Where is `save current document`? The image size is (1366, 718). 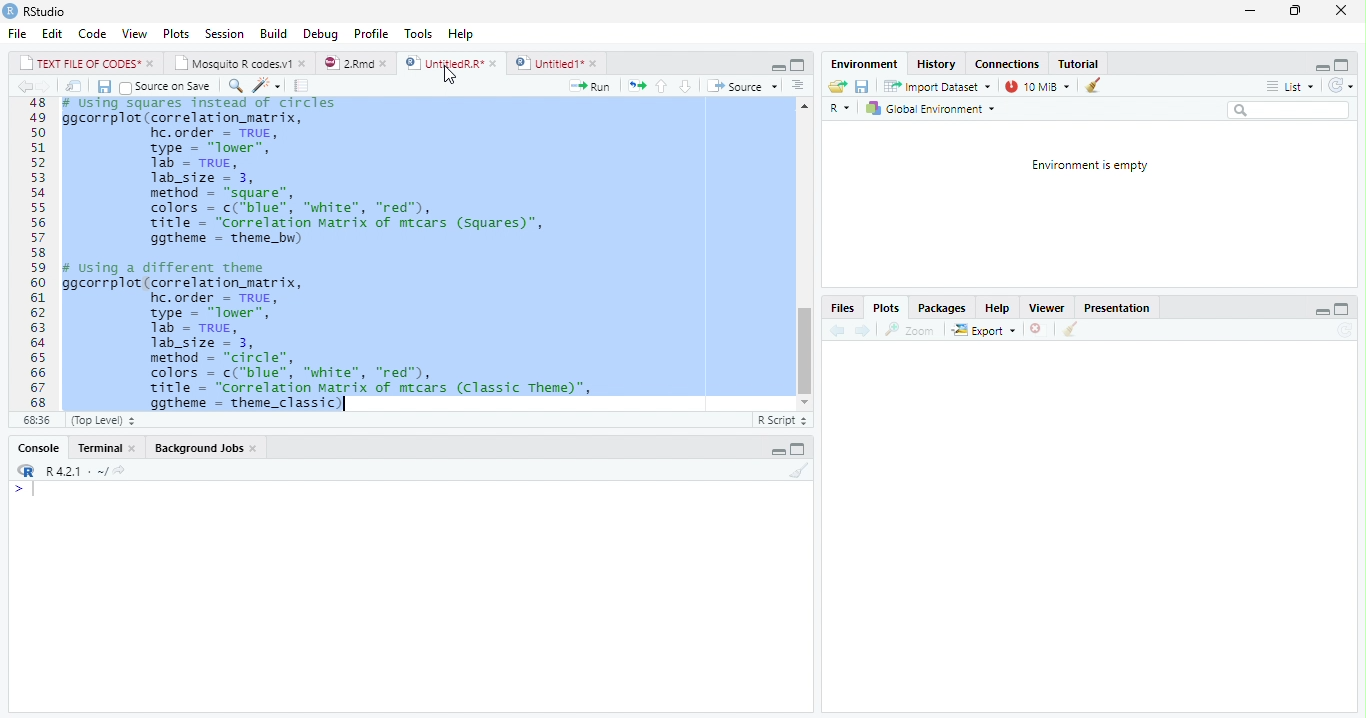
save current document is located at coordinates (103, 86).